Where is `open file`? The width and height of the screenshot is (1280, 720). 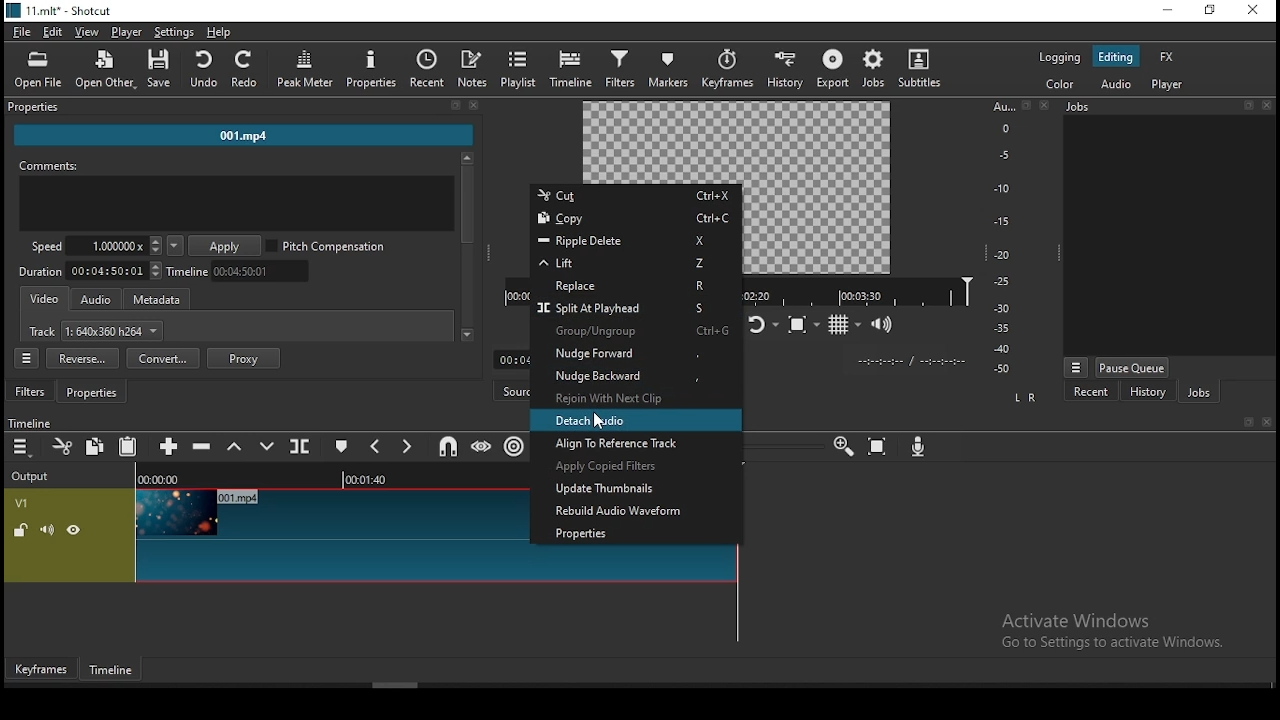 open file is located at coordinates (39, 70).